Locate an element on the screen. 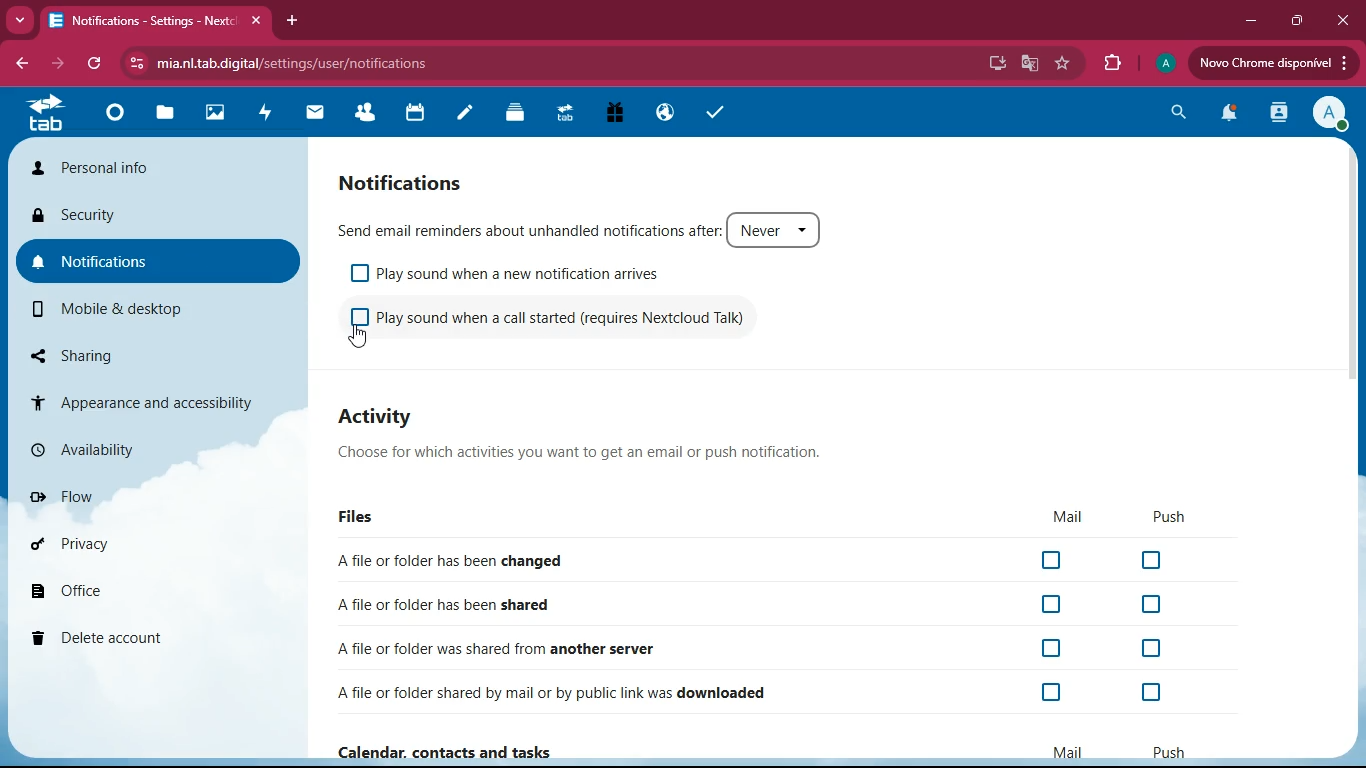  tab is located at coordinates (568, 117).